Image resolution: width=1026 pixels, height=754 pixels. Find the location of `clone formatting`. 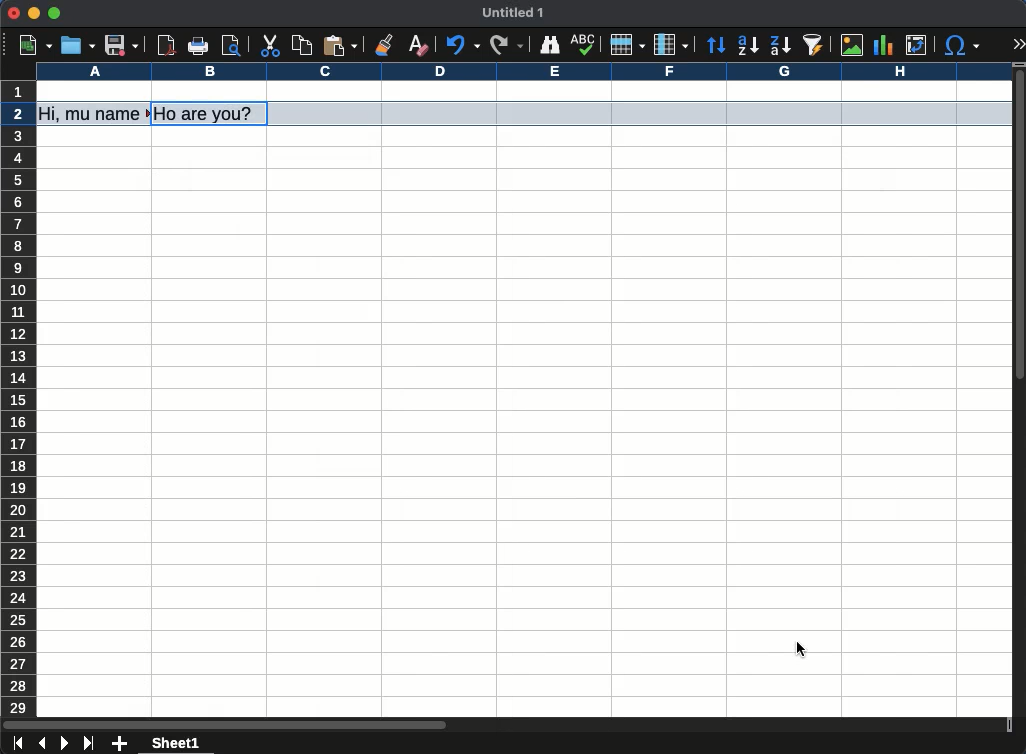

clone formatting is located at coordinates (382, 43).